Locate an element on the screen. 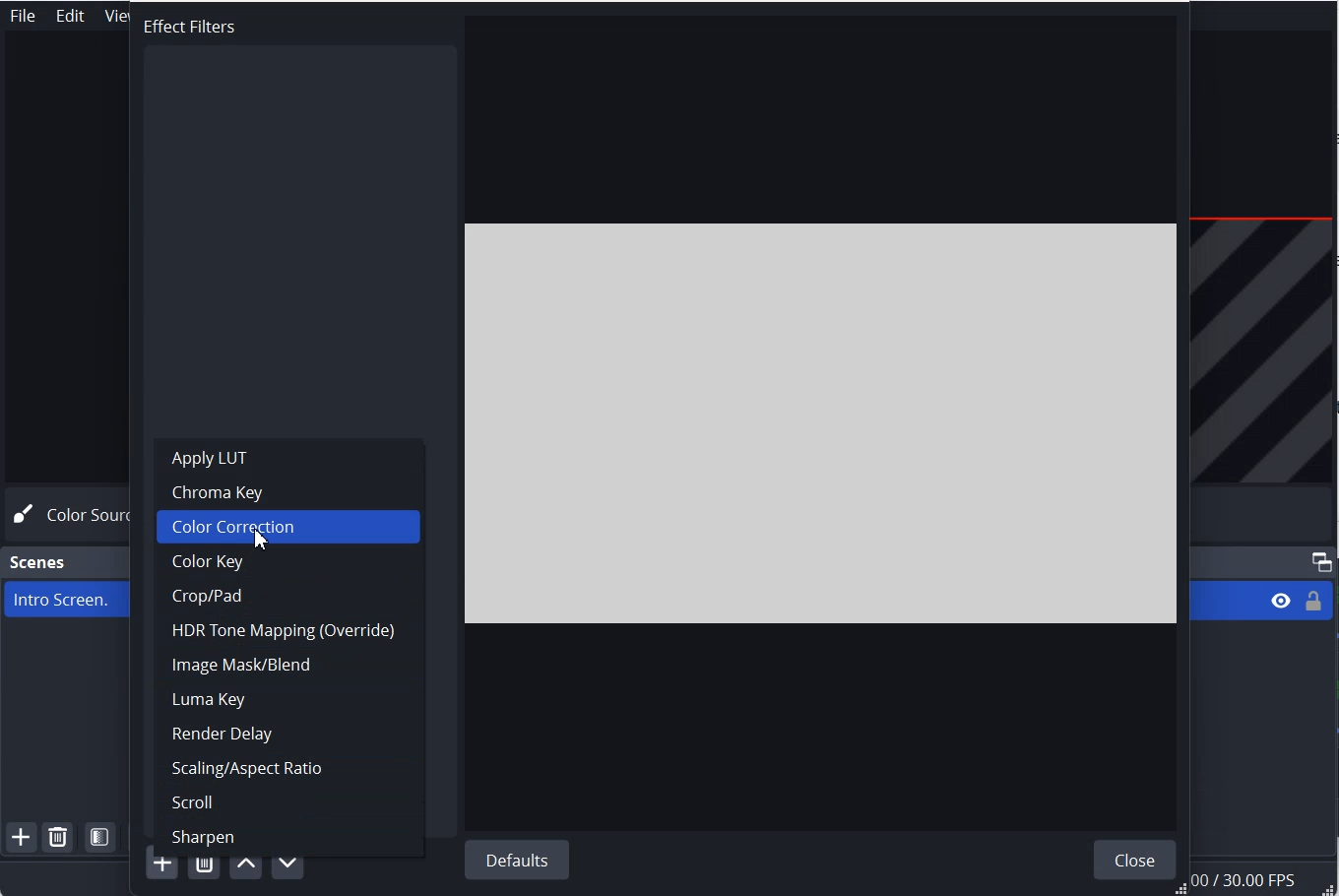 The image size is (1339, 896). Crop/Pad is located at coordinates (287, 597).